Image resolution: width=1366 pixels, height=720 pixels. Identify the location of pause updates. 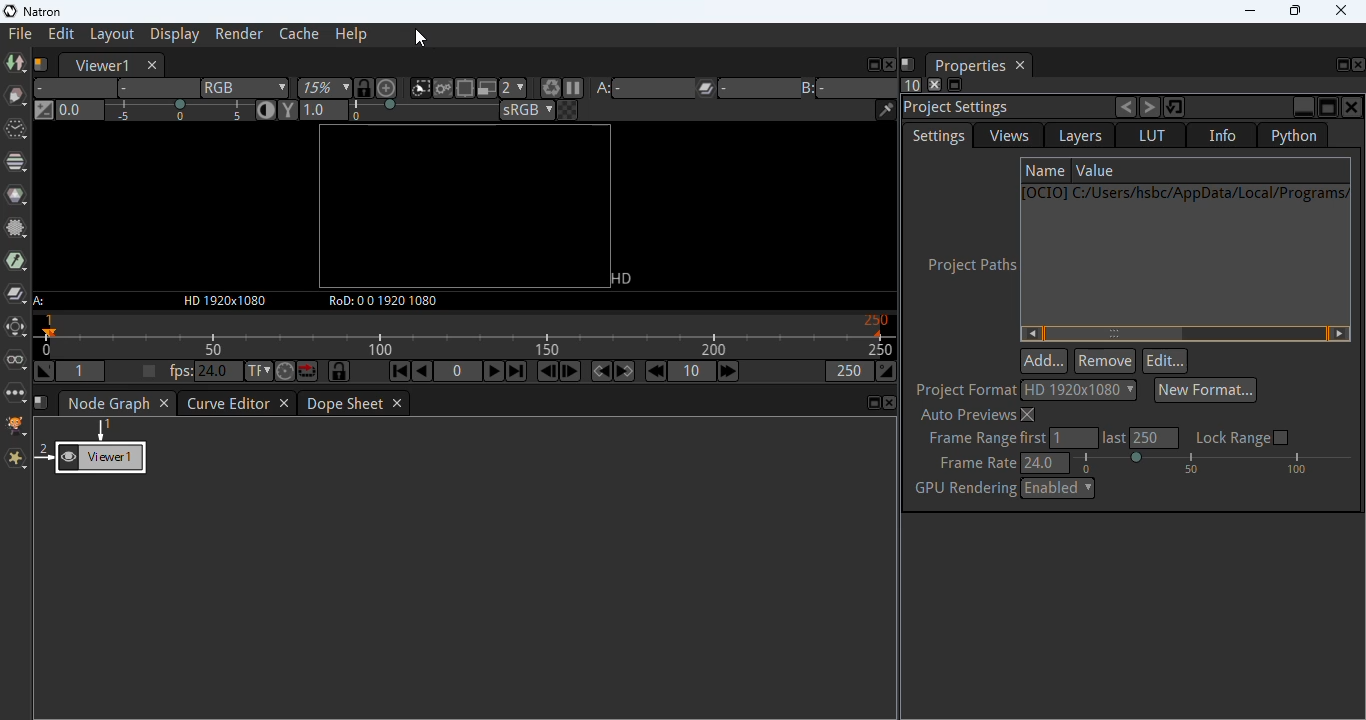
(573, 86).